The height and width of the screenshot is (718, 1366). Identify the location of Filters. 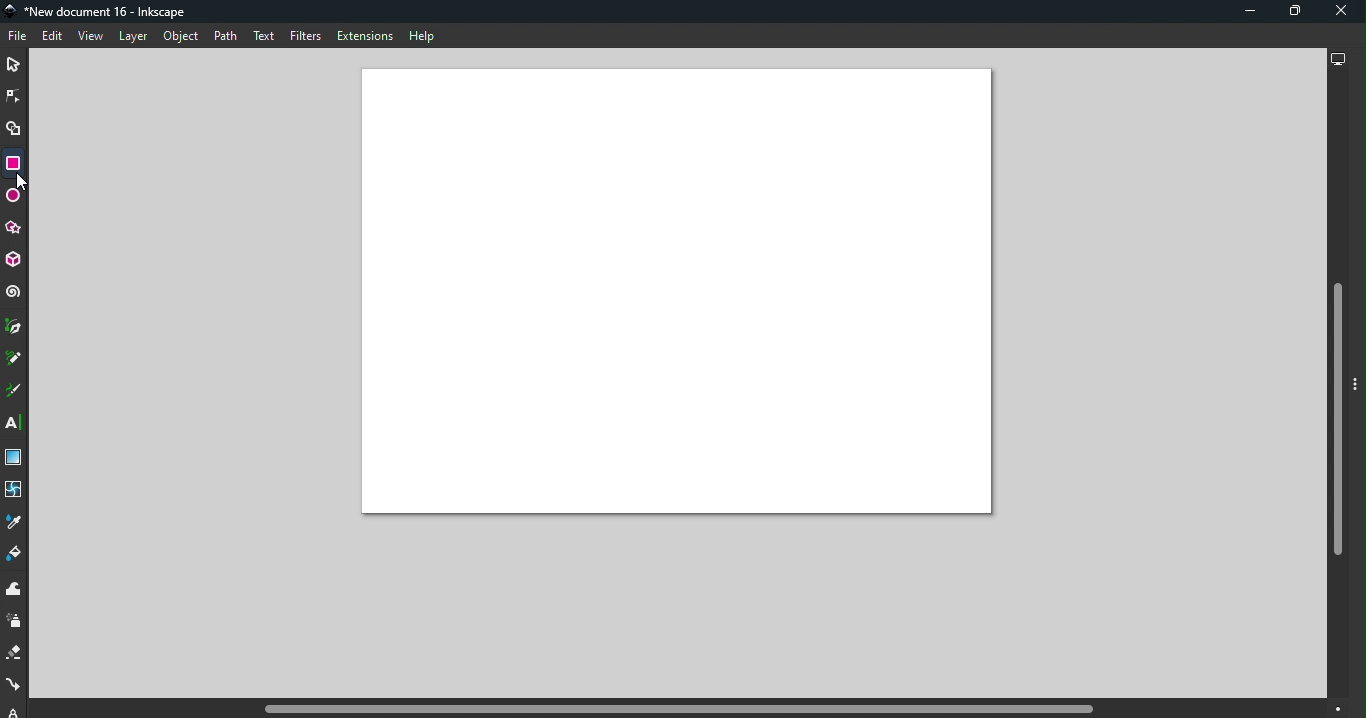
(306, 38).